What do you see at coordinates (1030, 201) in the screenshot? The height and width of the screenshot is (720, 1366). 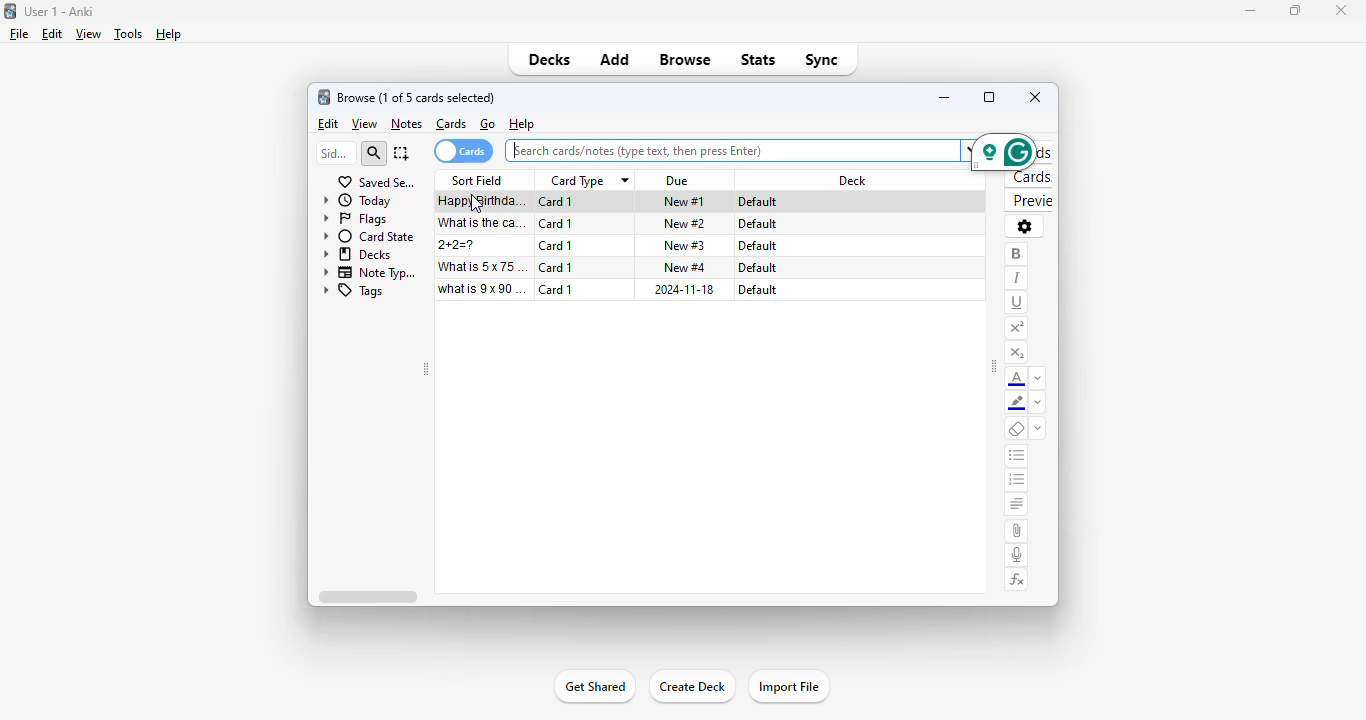 I see `preview` at bounding box center [1030, 201].